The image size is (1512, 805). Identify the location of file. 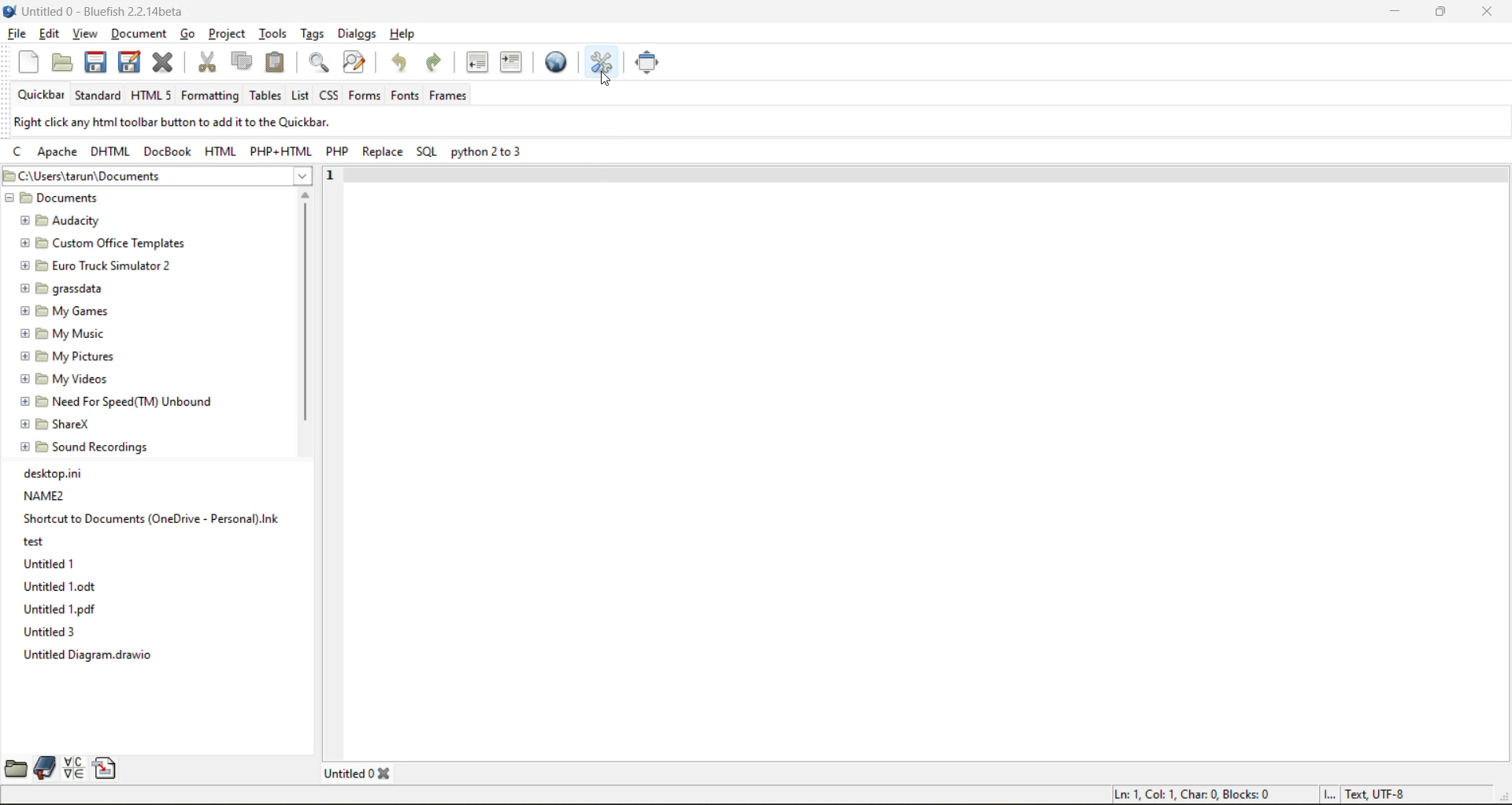
(15, 33).